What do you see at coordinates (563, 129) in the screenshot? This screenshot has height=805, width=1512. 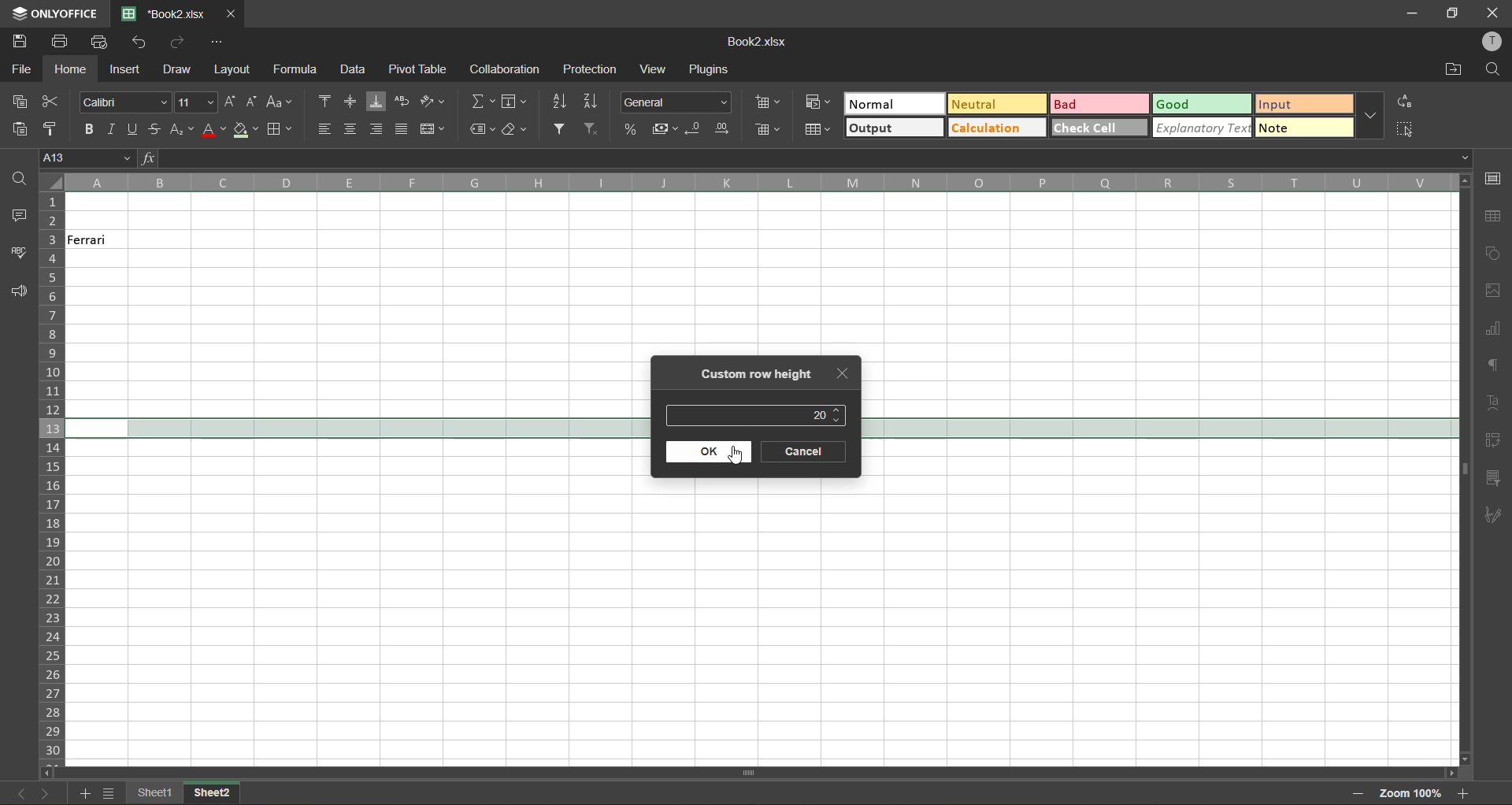 I see `filter` at bounding box center [563, 129].